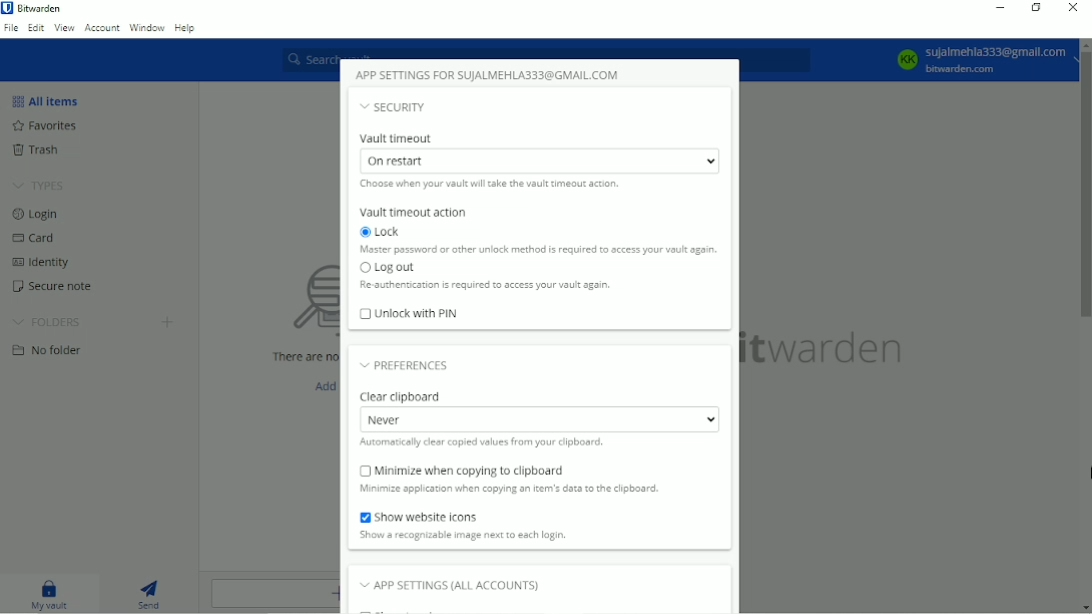 This screenshot has width=1092, height=614. Describe the element at coordinates (49, 349) in the screenshot. I see `No folder` at that location.